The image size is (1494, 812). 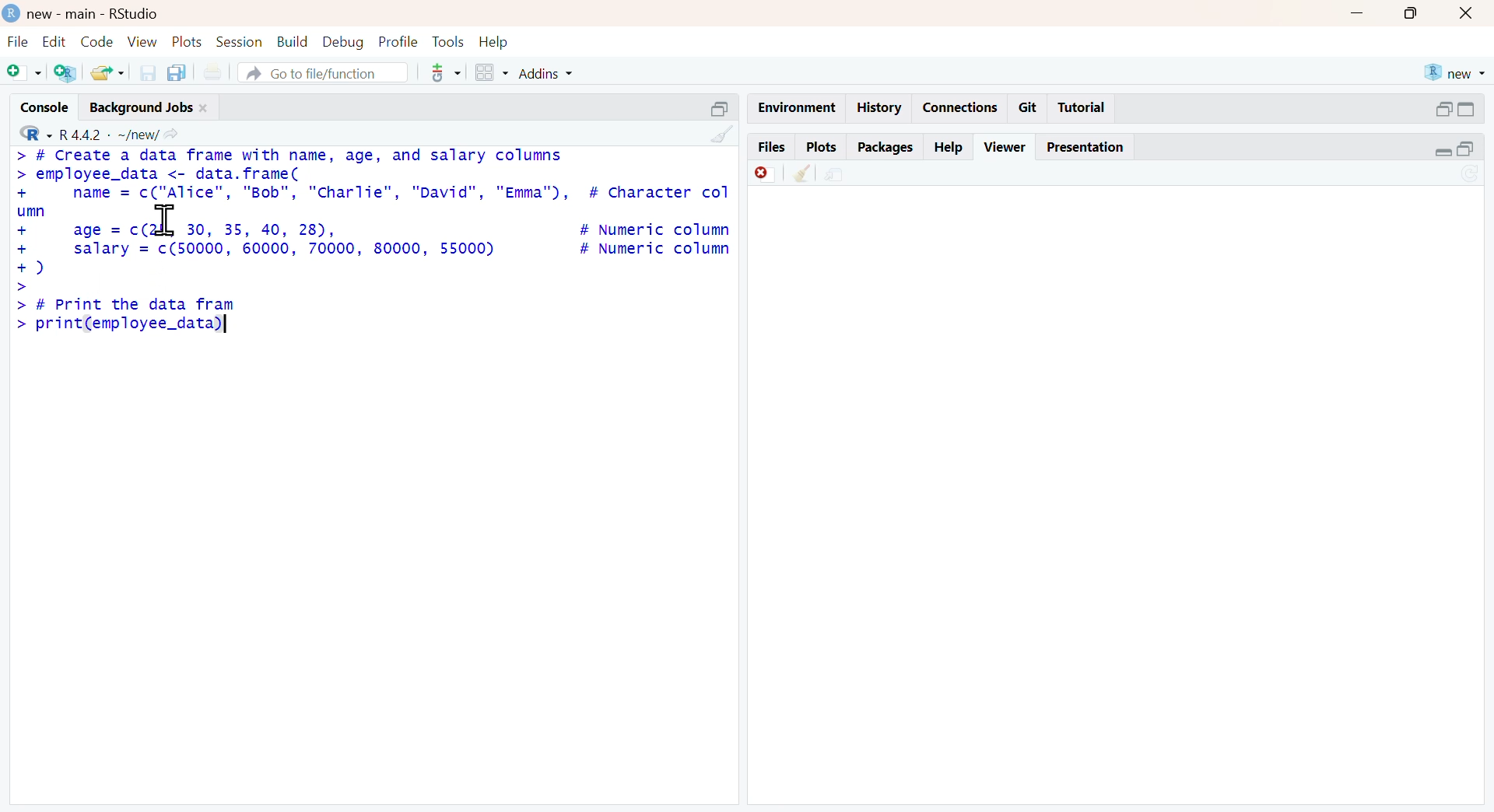 I want to click on R442 - ~/new/, so click(x=124, y=133).